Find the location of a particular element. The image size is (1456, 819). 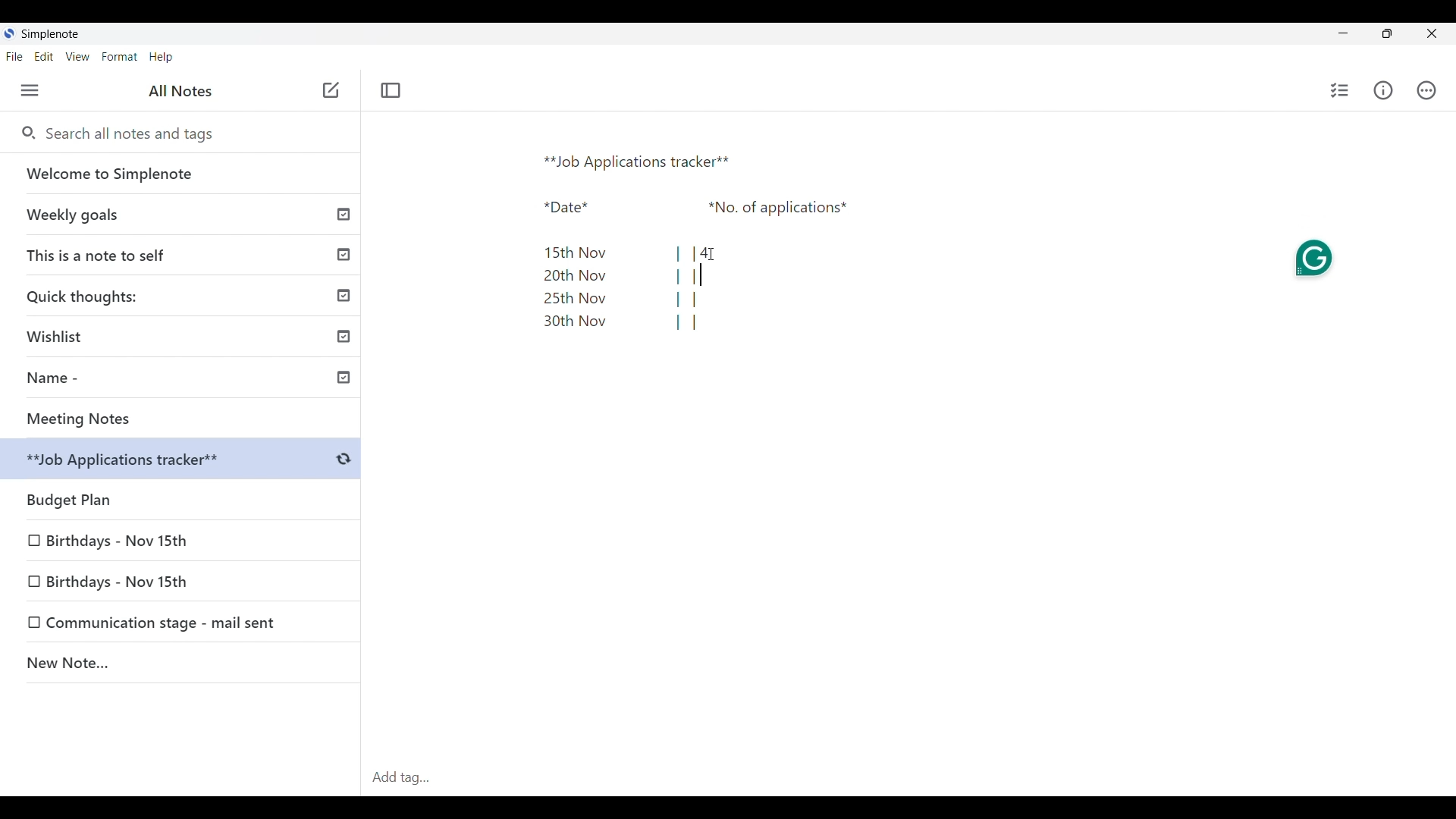

Budget Plan is located at coordinates (184, 461).